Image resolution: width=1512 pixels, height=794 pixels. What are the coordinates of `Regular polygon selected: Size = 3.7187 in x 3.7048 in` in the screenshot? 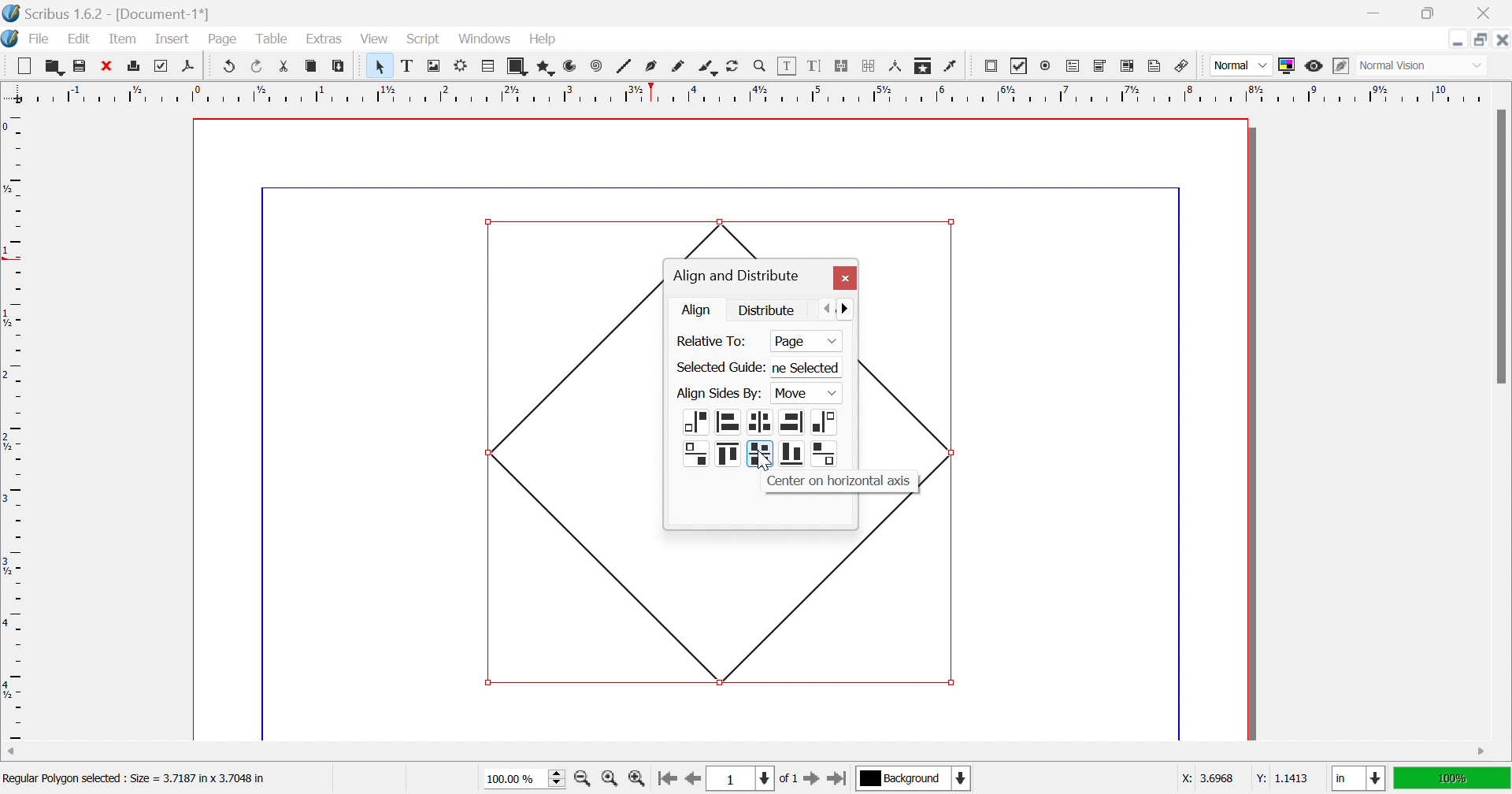 It's located at (134, 781).